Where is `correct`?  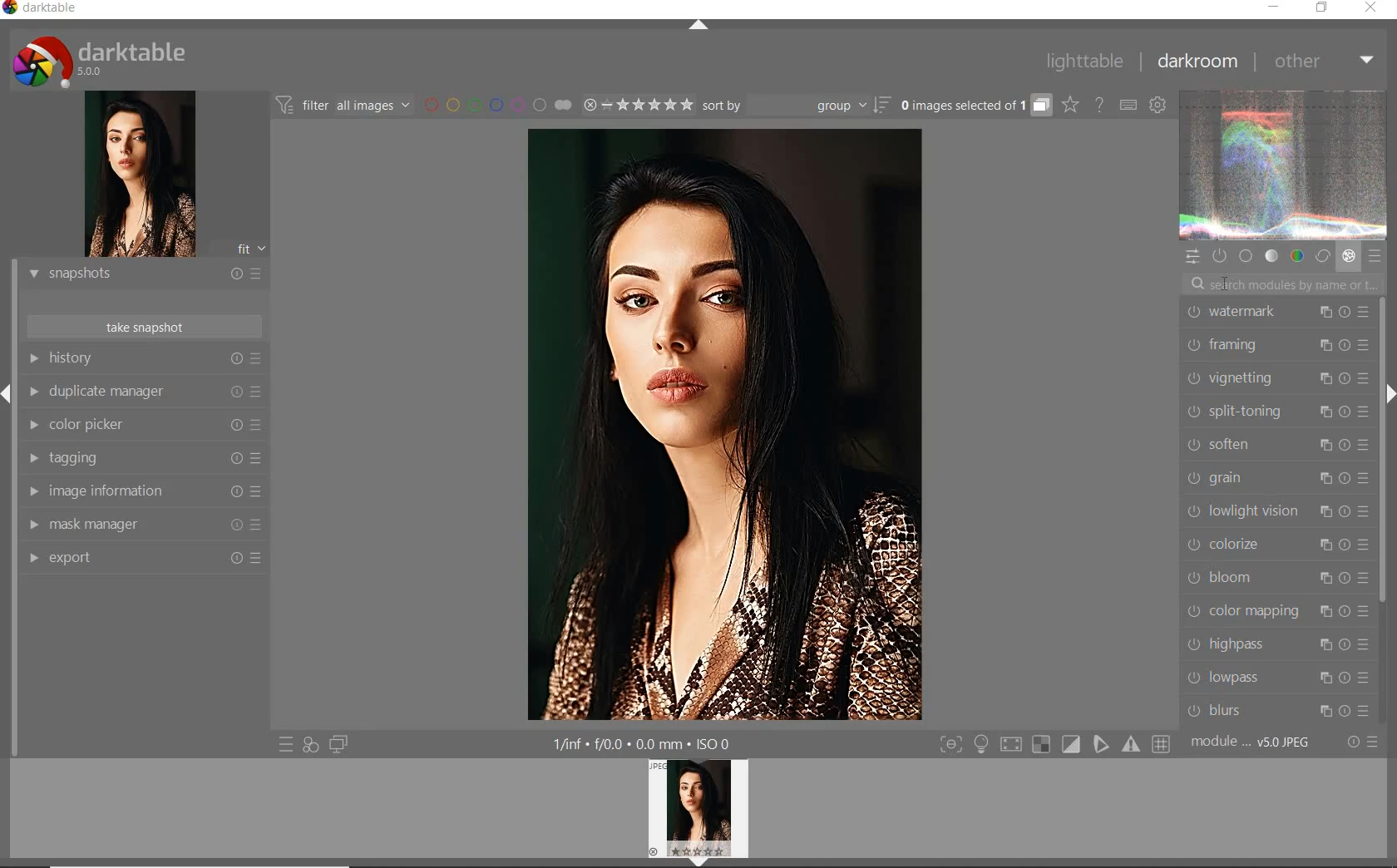 correct is located at coordinates (1323, 257).